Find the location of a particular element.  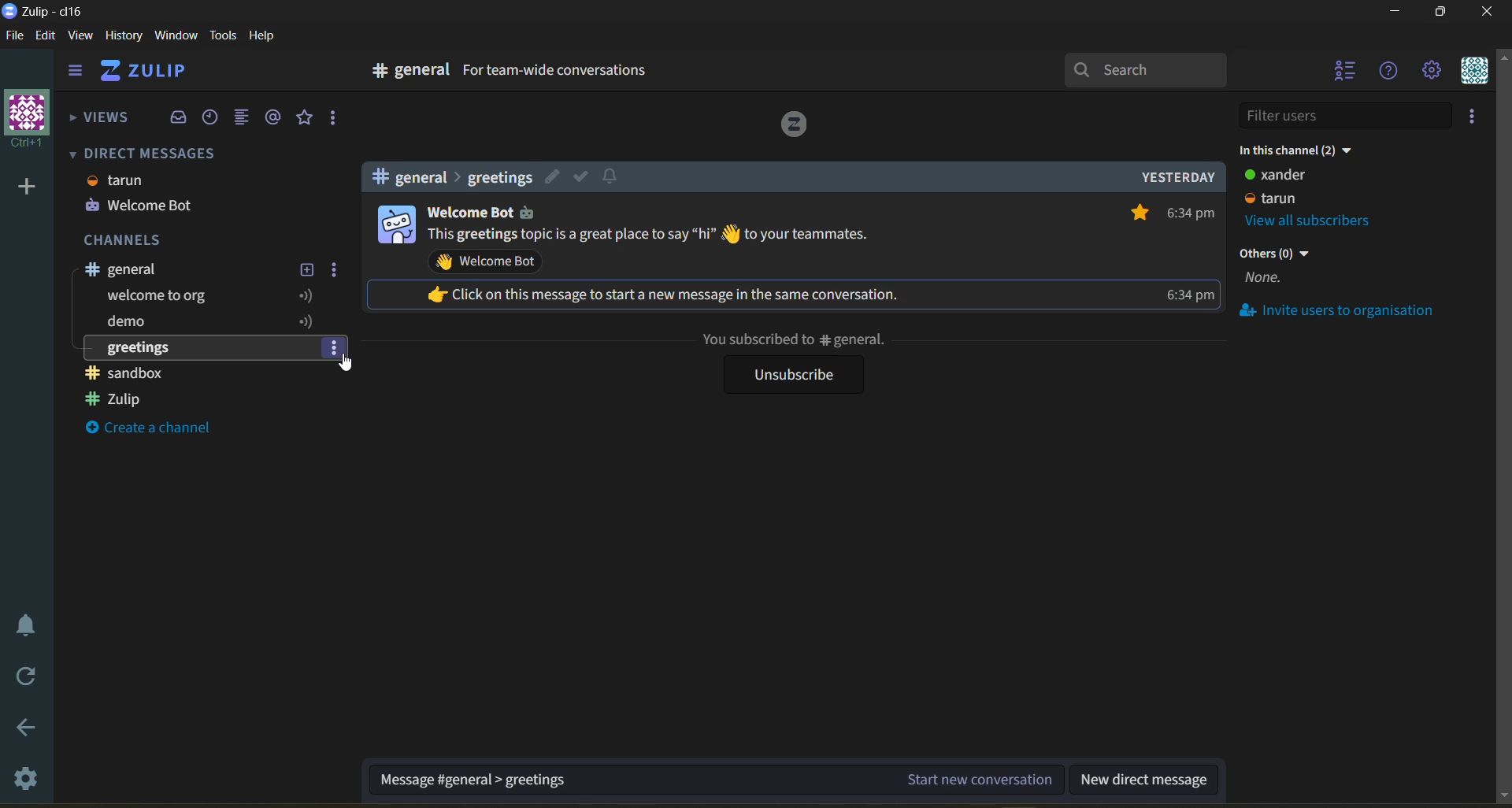

greetings is located at coordinates (145, 348).